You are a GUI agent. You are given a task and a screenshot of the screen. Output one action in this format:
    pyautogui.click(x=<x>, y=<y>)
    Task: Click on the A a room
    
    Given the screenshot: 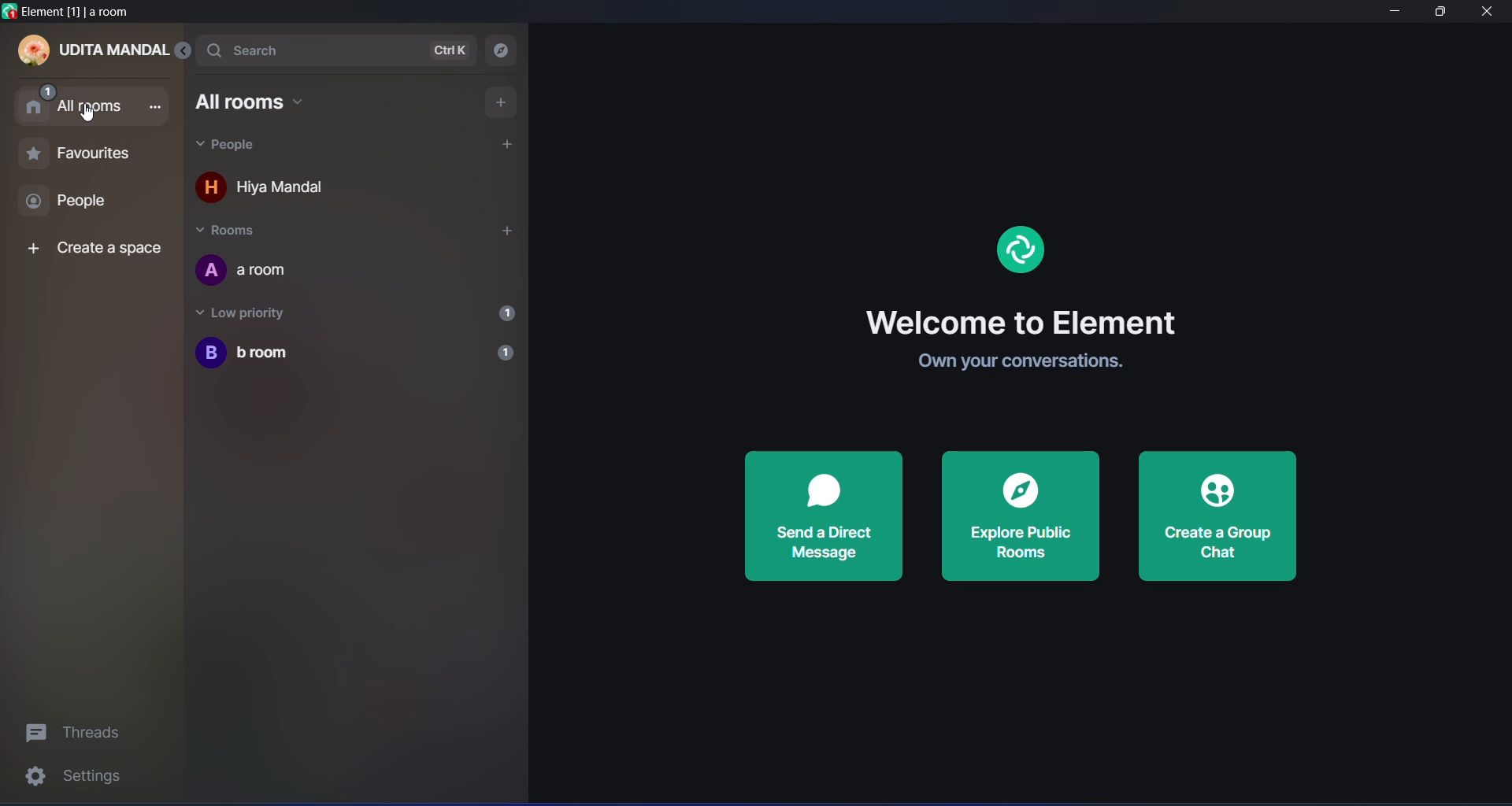 What is the action you would take?
    pyautogui.click(x=258, y=270)
    